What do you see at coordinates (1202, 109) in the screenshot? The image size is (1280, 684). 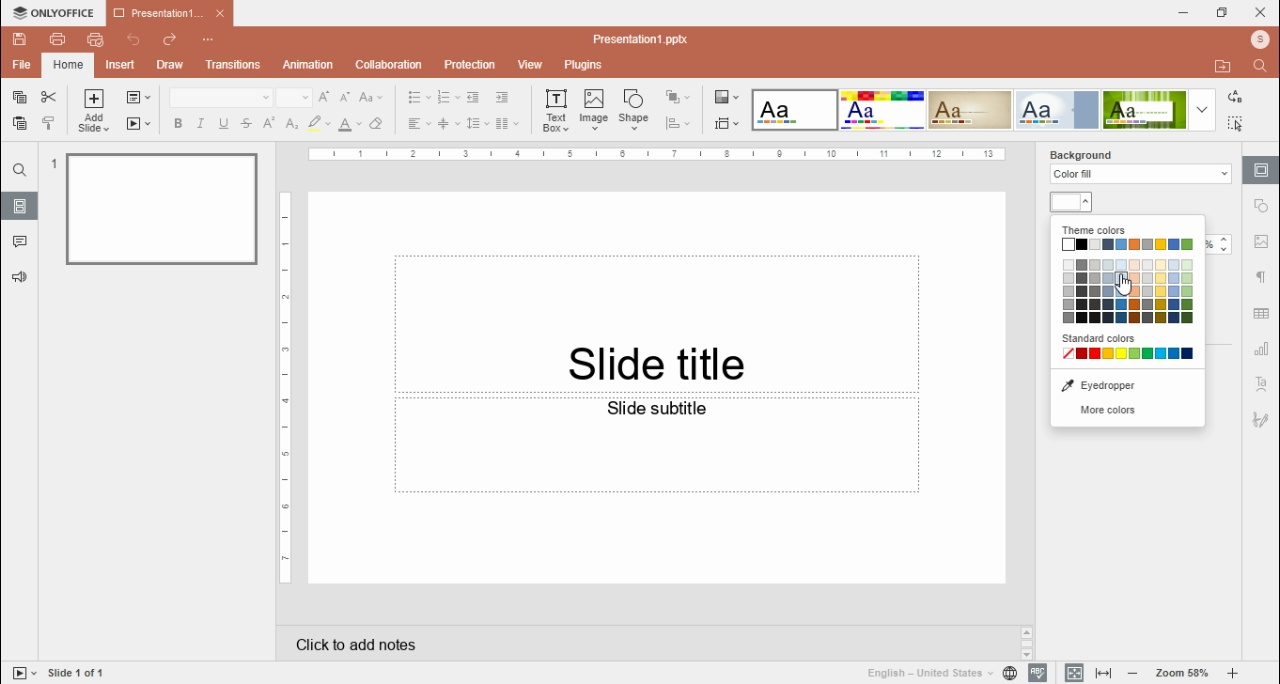 I see `more themes` at bounding box center [1202, 109].